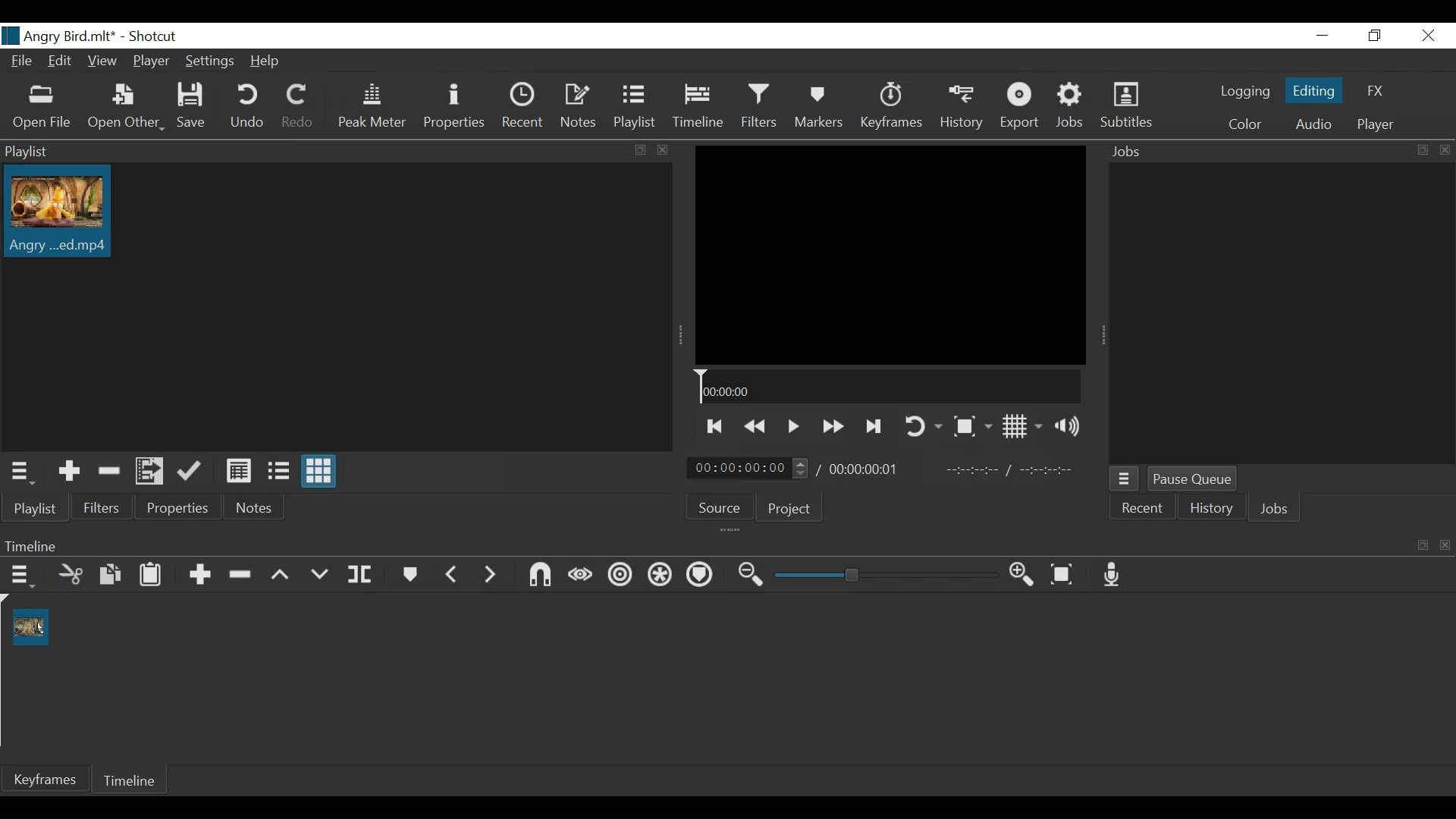  I want to click on Project, so click(789, 509).